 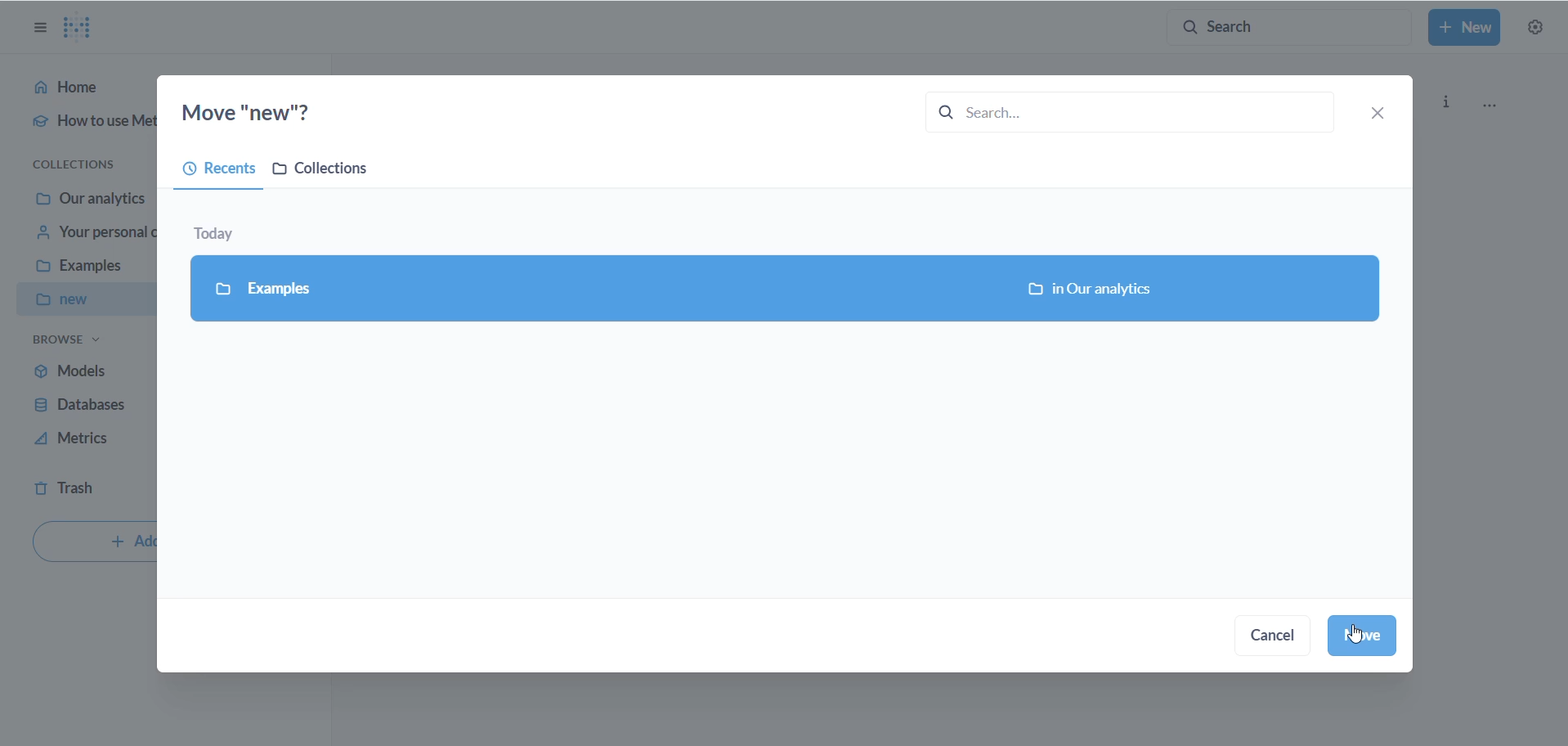 I want to click on home, so click(x=81, y=91).